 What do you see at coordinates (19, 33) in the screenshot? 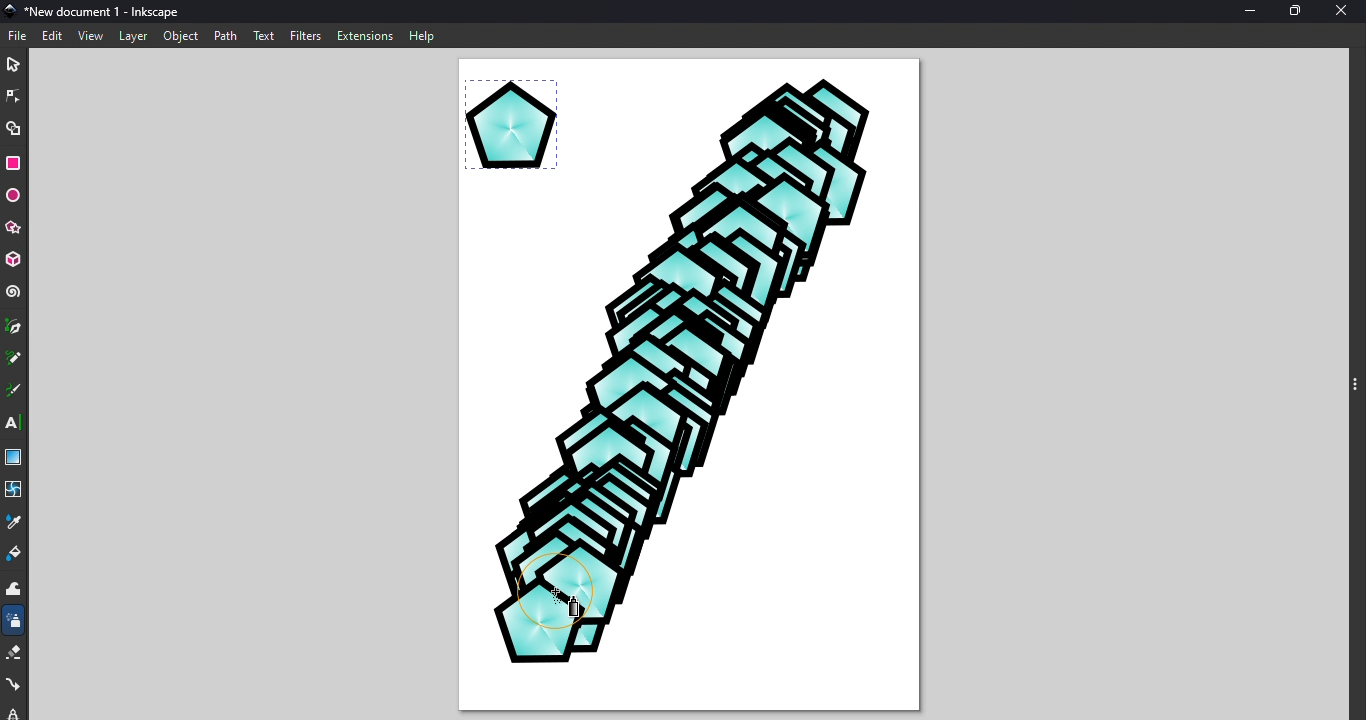
I see `File` at bounding box center [19, 33].